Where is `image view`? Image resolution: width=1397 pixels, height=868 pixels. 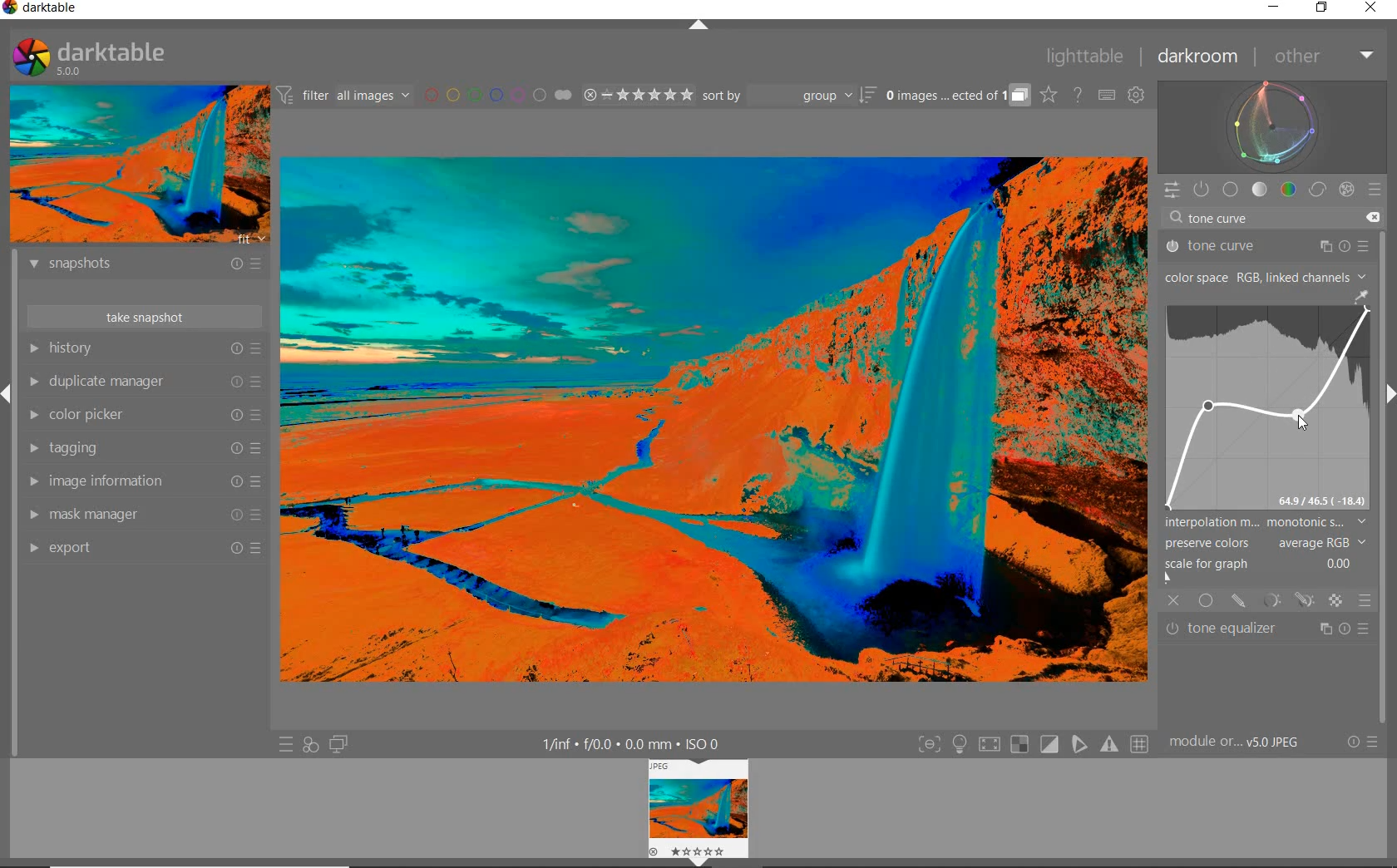 image view is located at coordinates (693, 806).